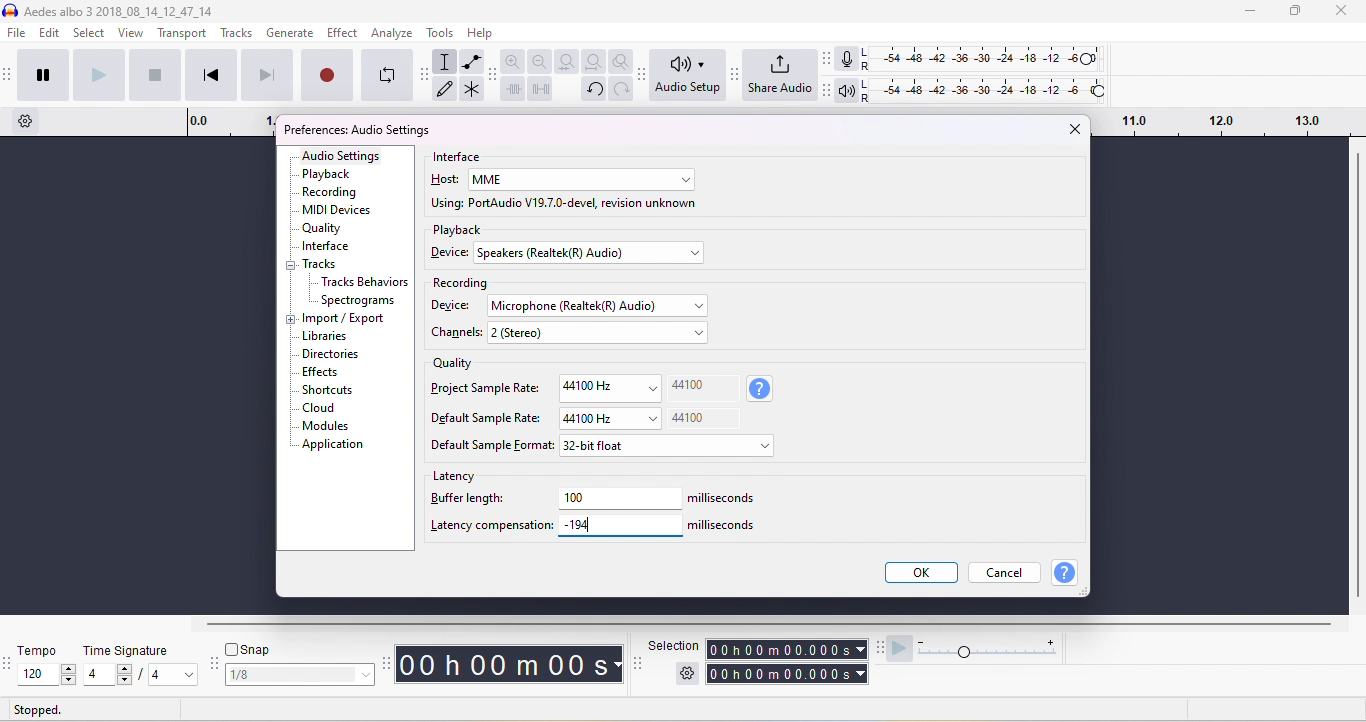 The width and height of the screenshot is (1366, 722). I want to click on MIDI devices, so click(339, 211).